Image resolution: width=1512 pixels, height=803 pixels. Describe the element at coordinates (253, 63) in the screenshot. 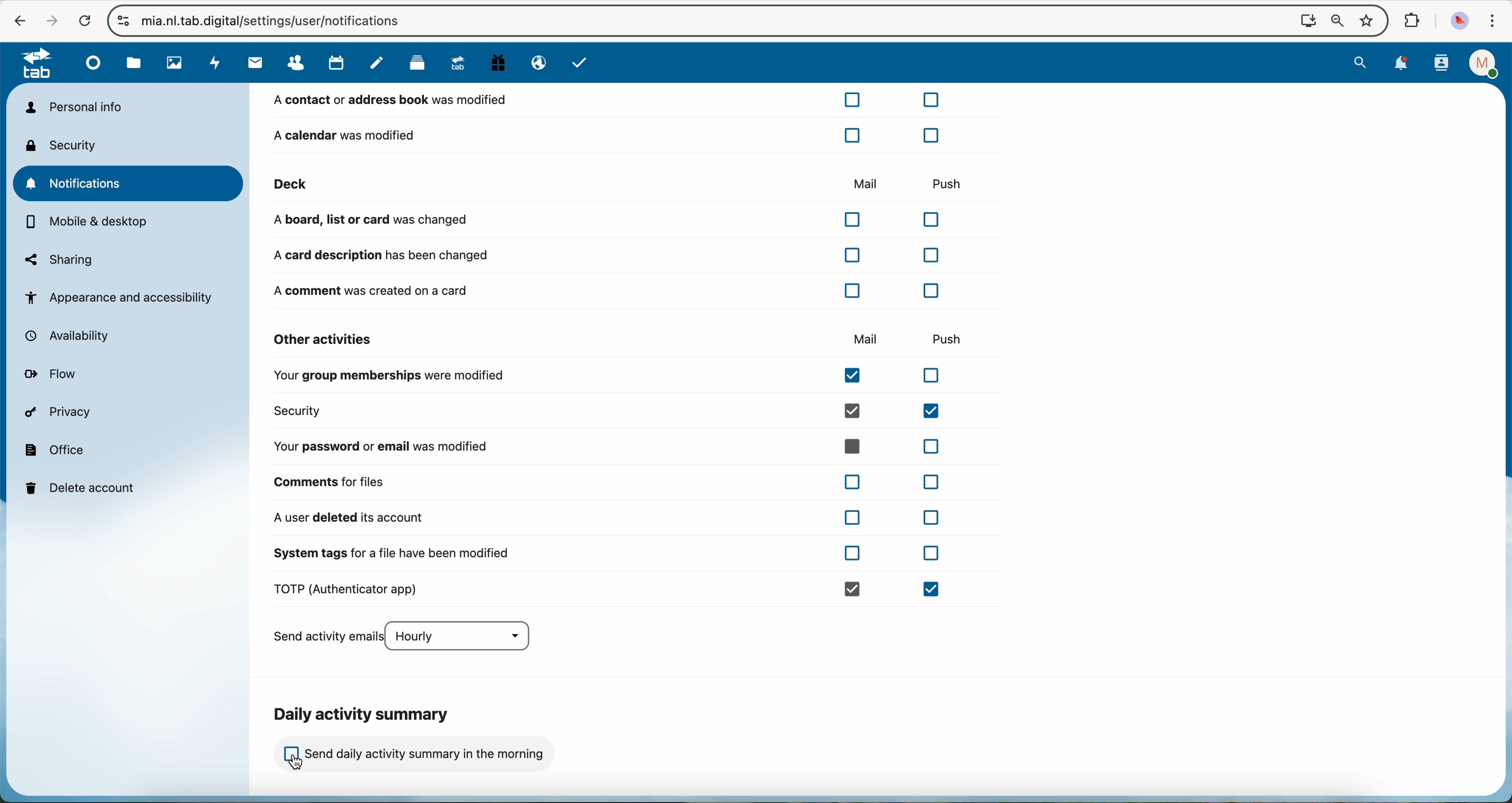

I see `mail` at that location.